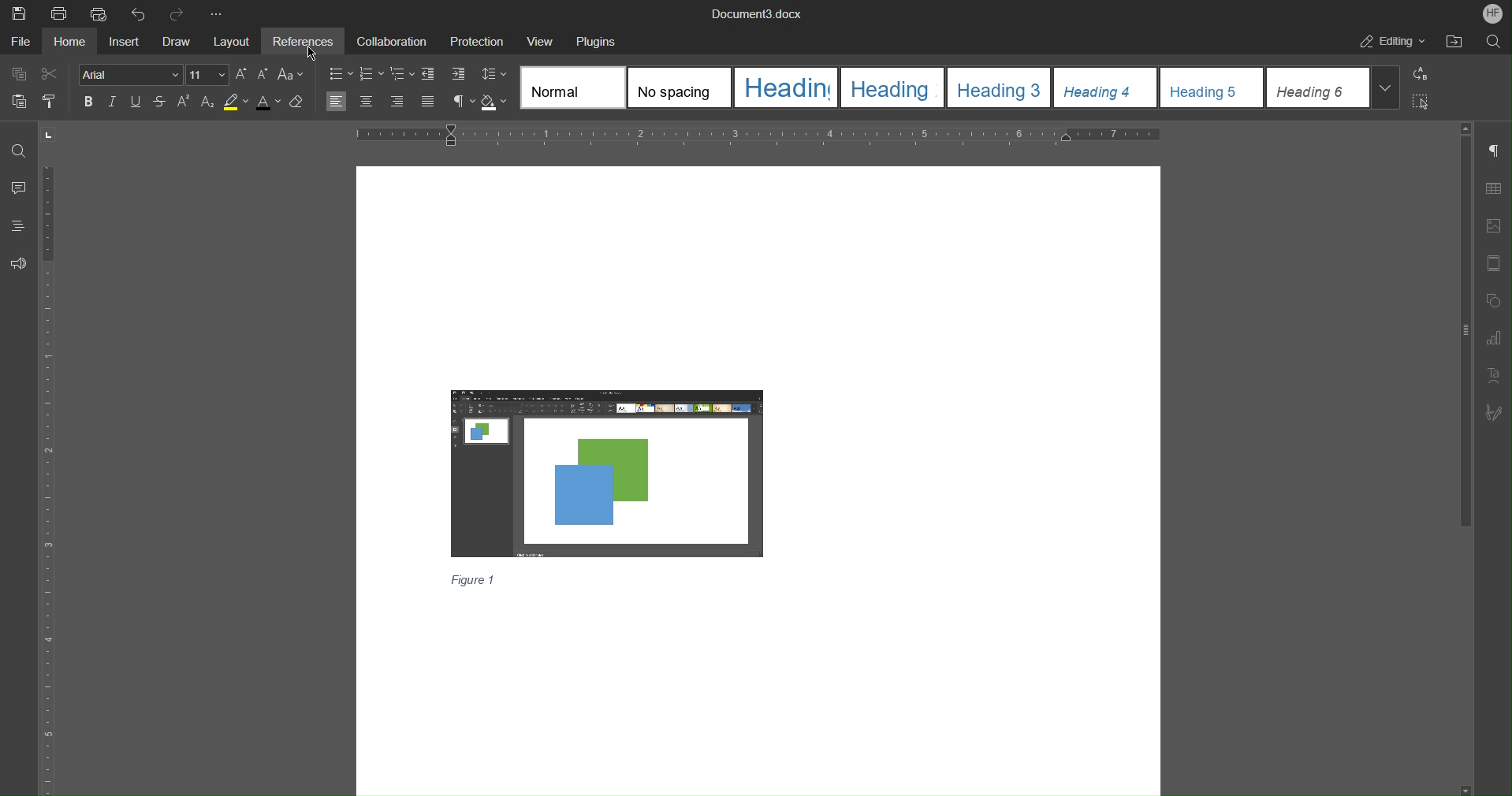 The image size is (1512, 796). I want to click on Account, so click(1492, 13).